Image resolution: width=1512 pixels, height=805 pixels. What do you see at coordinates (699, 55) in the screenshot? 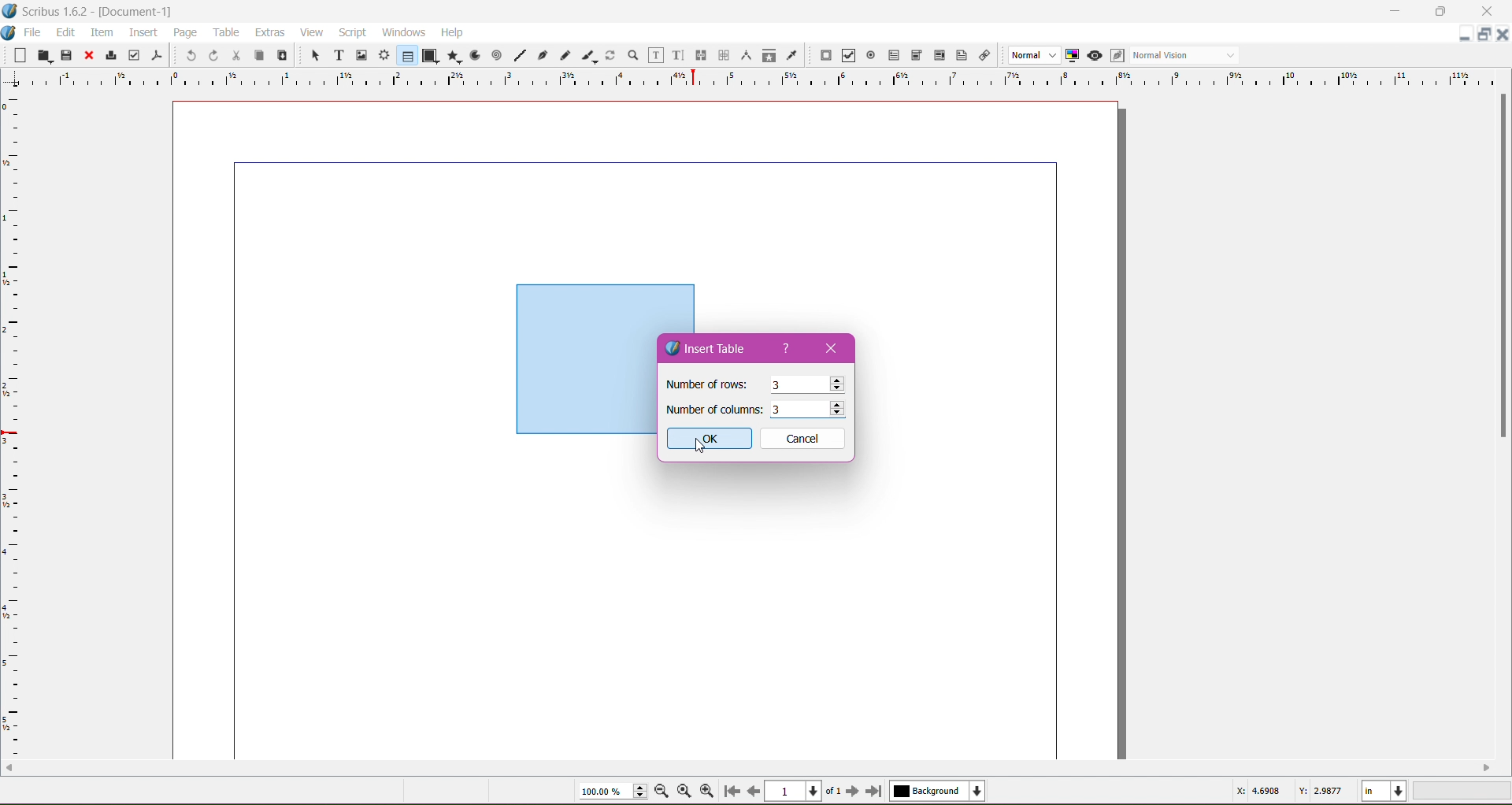
I see `Link Text Frames` at bounding box center [699, 55].